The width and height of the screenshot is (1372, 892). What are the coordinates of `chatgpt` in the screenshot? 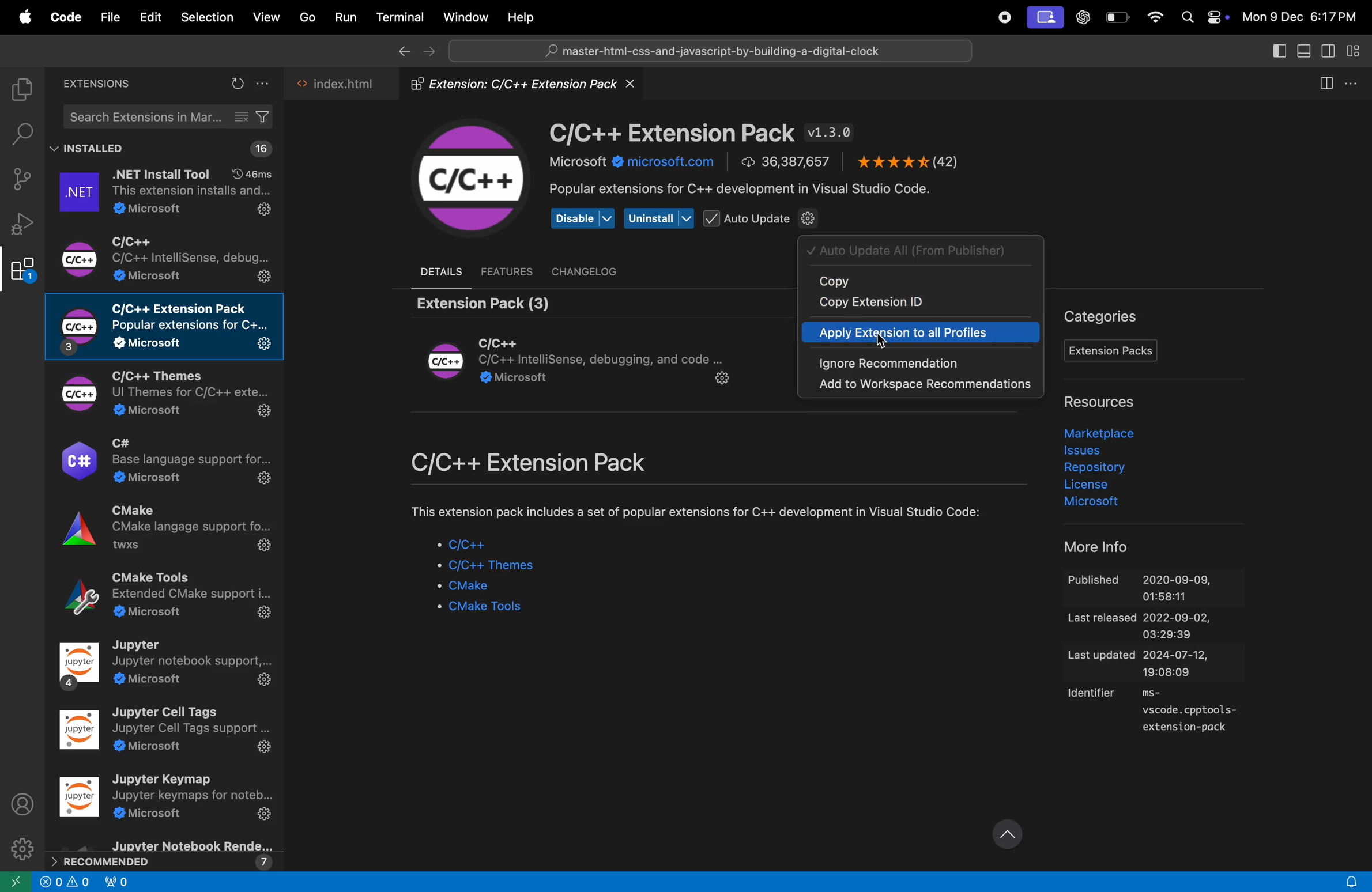 It's located at (1084, 18).